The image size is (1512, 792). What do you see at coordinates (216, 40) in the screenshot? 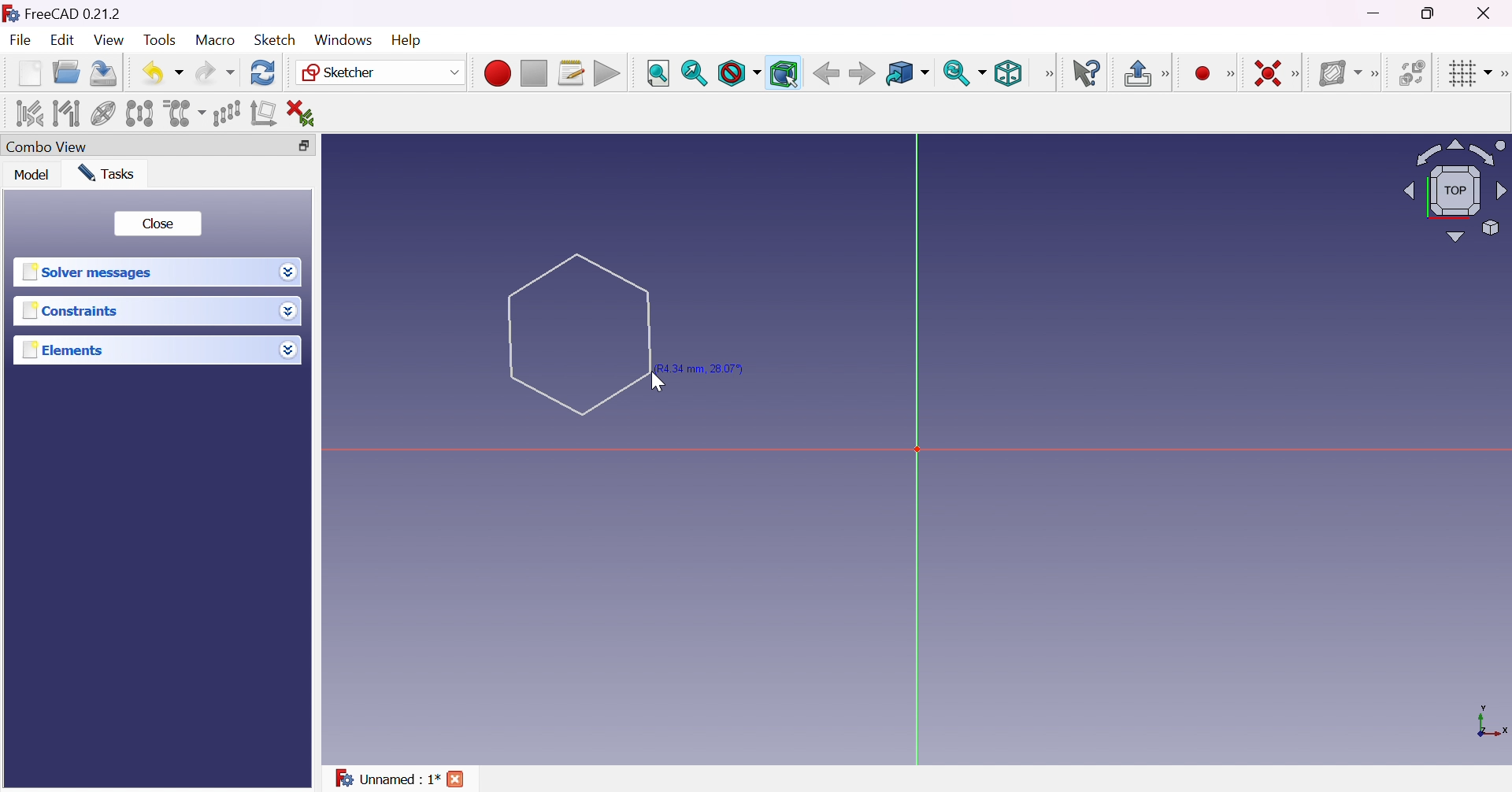
I see `Macro` at bounding box center [216, 40].